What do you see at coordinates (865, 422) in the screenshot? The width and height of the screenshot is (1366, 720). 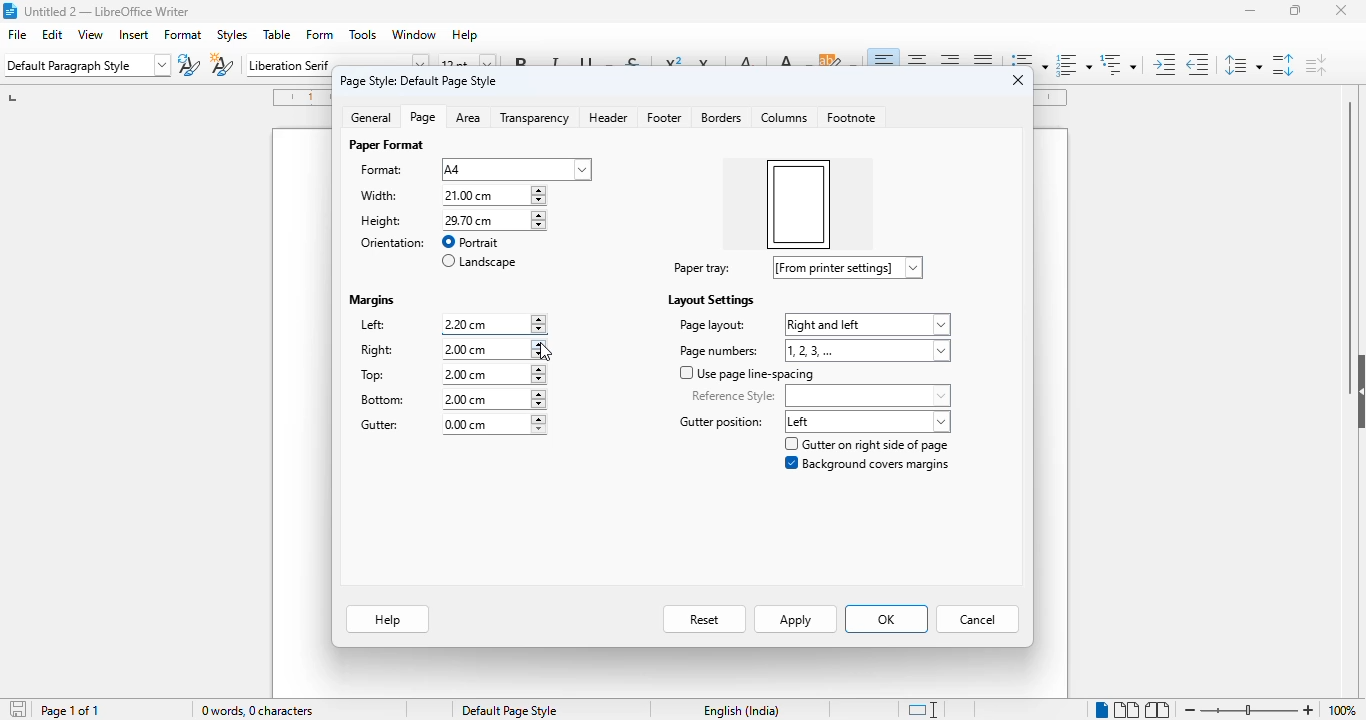 I see `gutter position options` at bounding box center [865, 422].